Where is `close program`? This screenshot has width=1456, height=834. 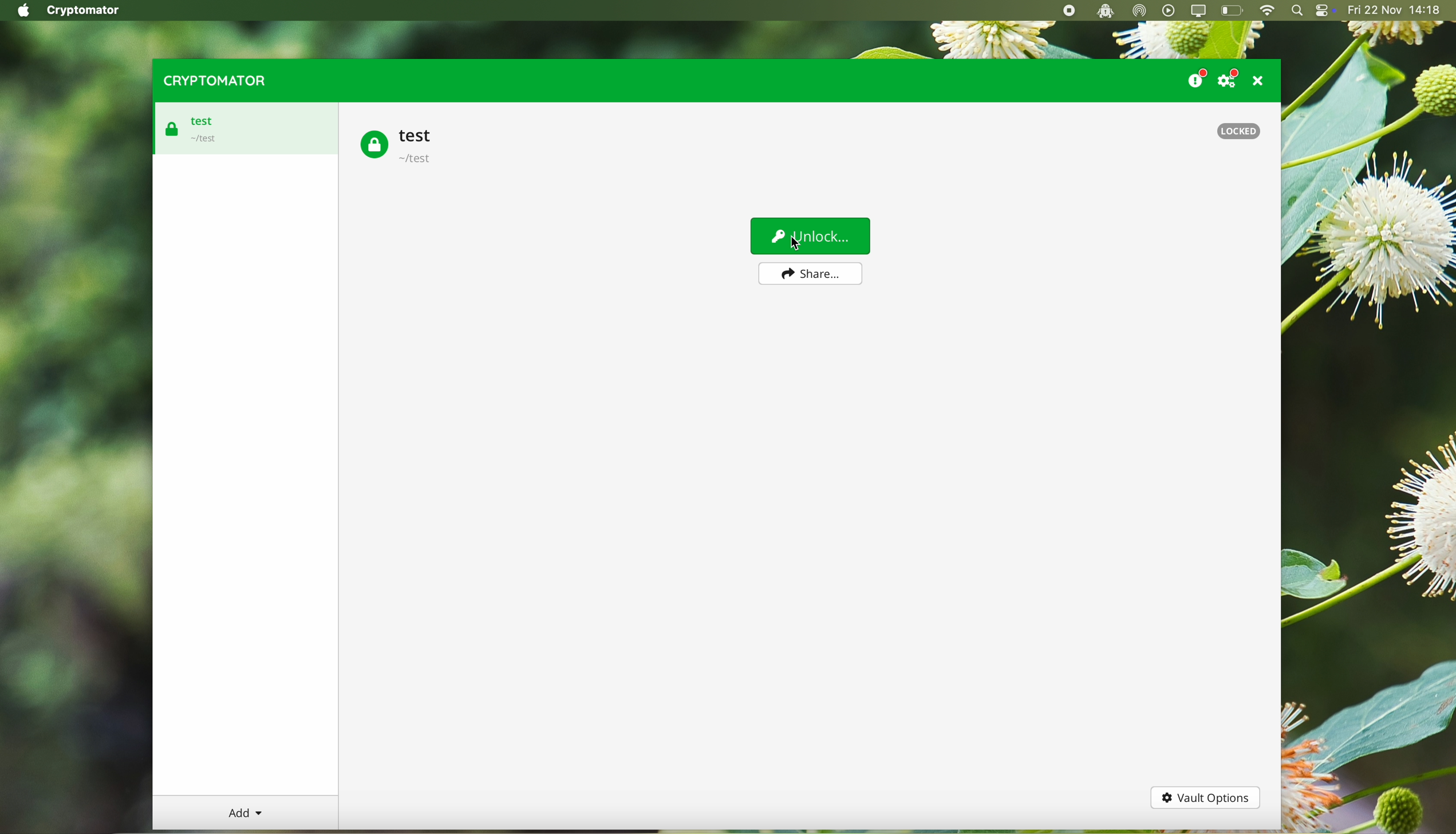 close program is located at coordinates (1261, 80).